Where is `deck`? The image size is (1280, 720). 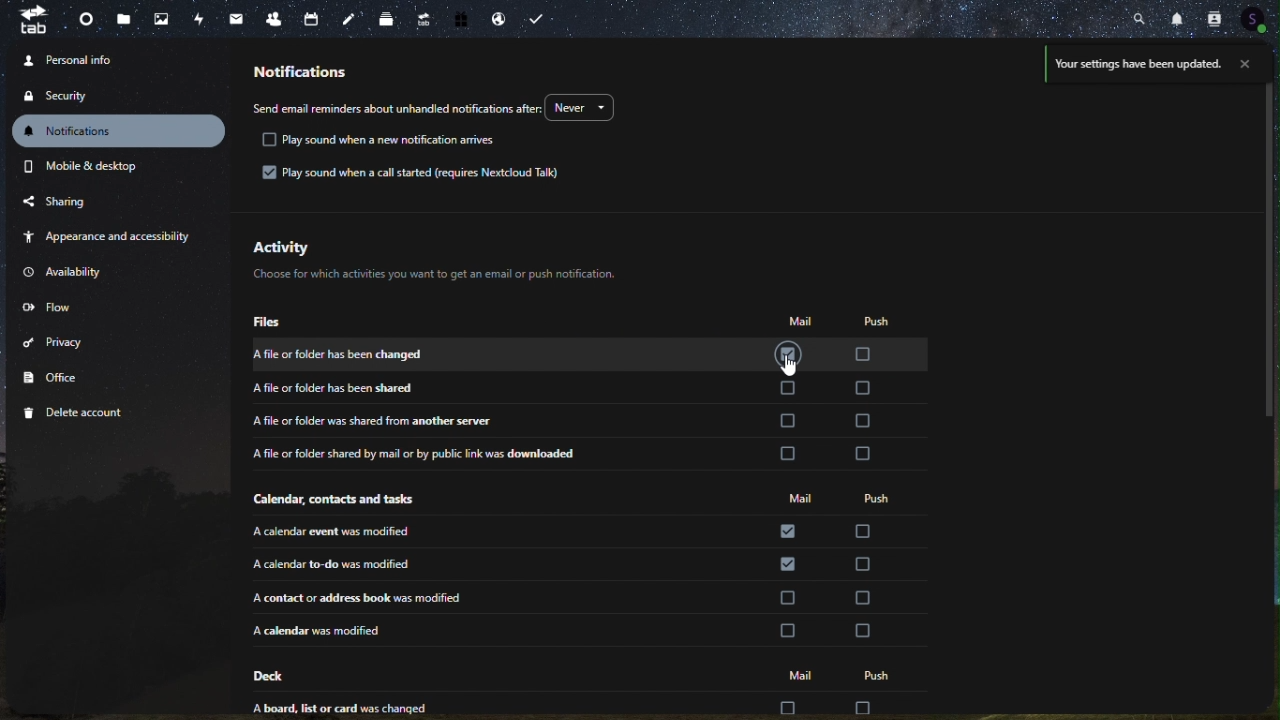 deck is located at coordinates (290, 676).